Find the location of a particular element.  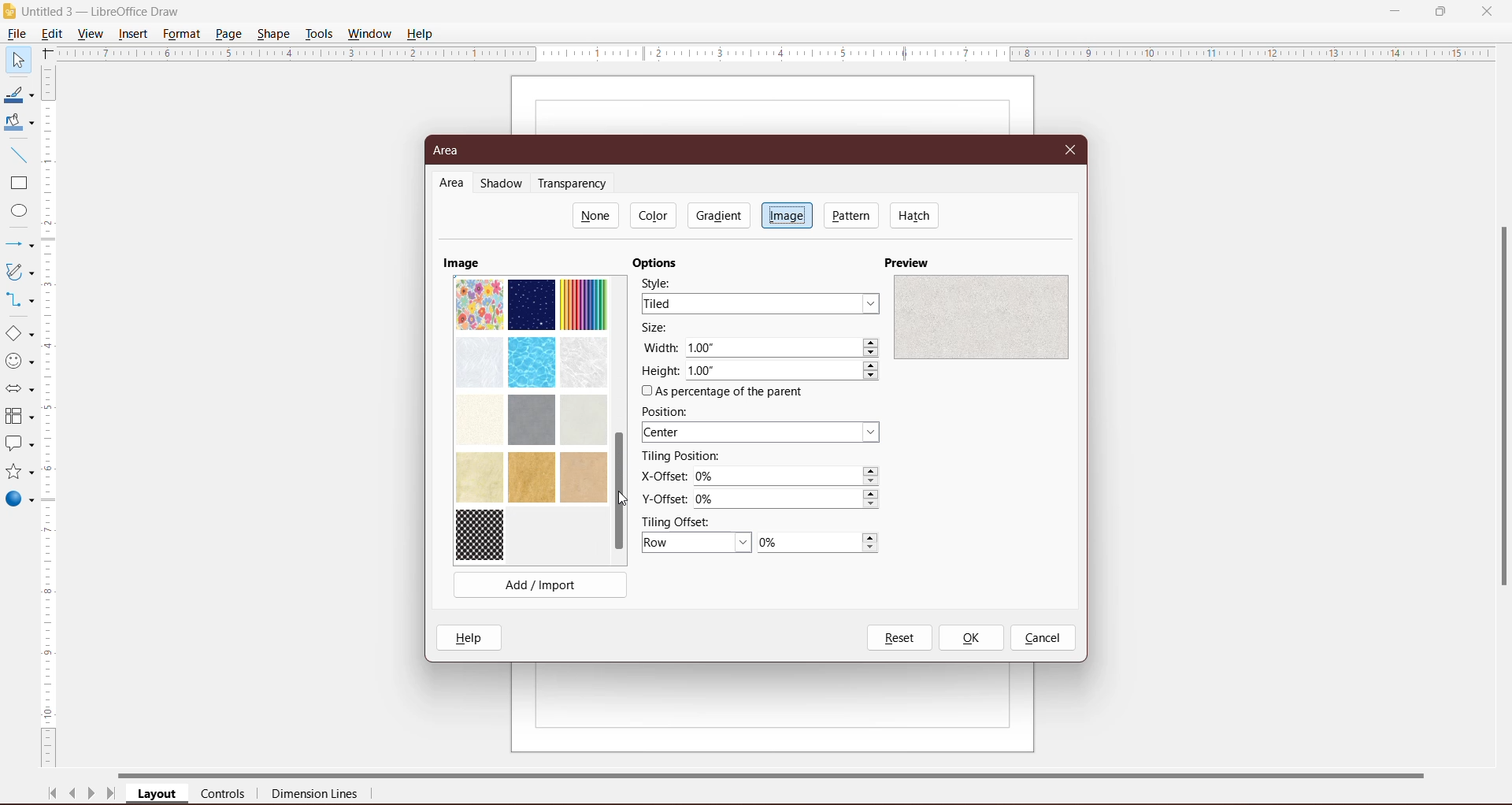

None is located at coordinates (596, 215).